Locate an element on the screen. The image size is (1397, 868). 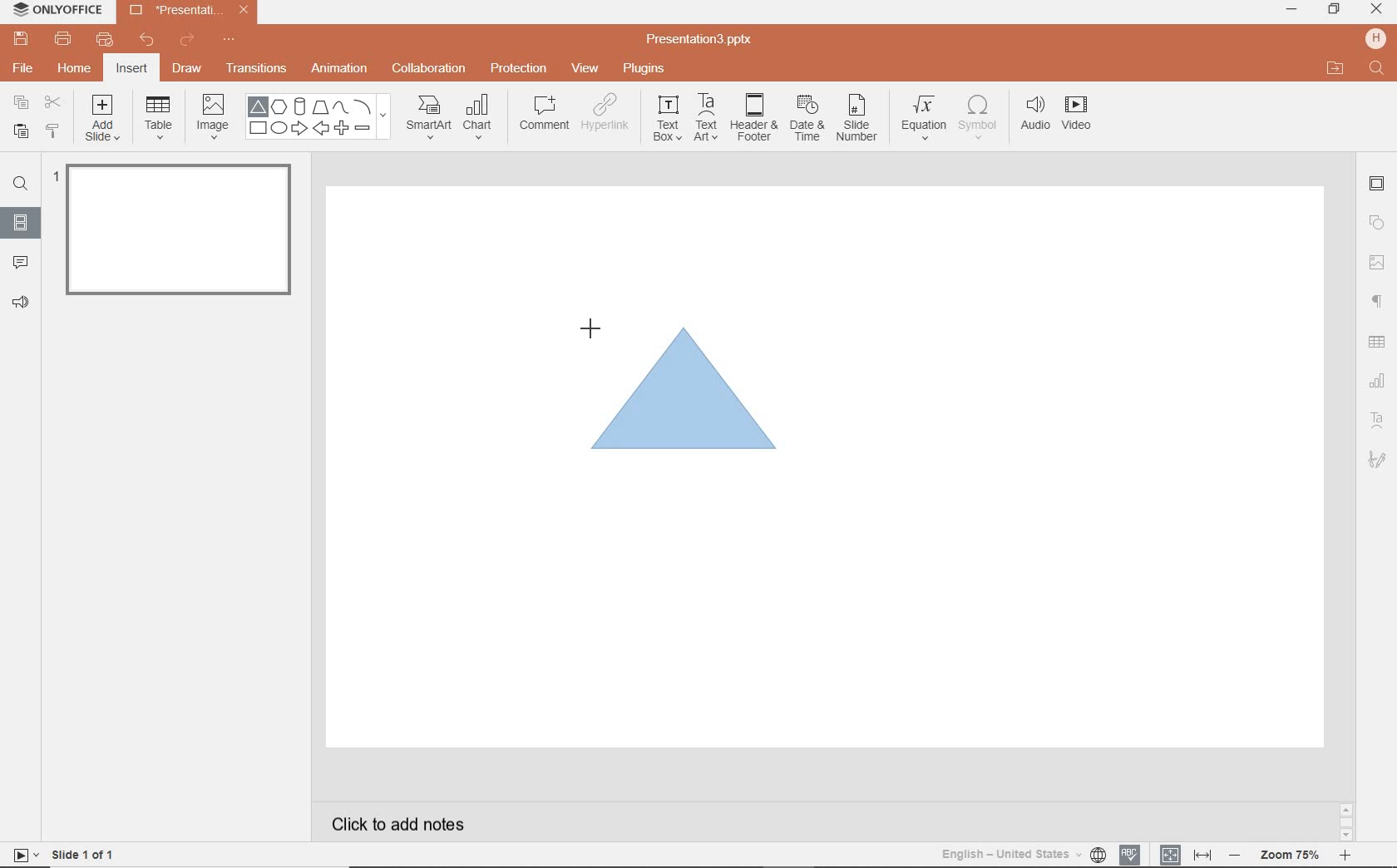
AUDIO is located at coordinates (1031, 115).